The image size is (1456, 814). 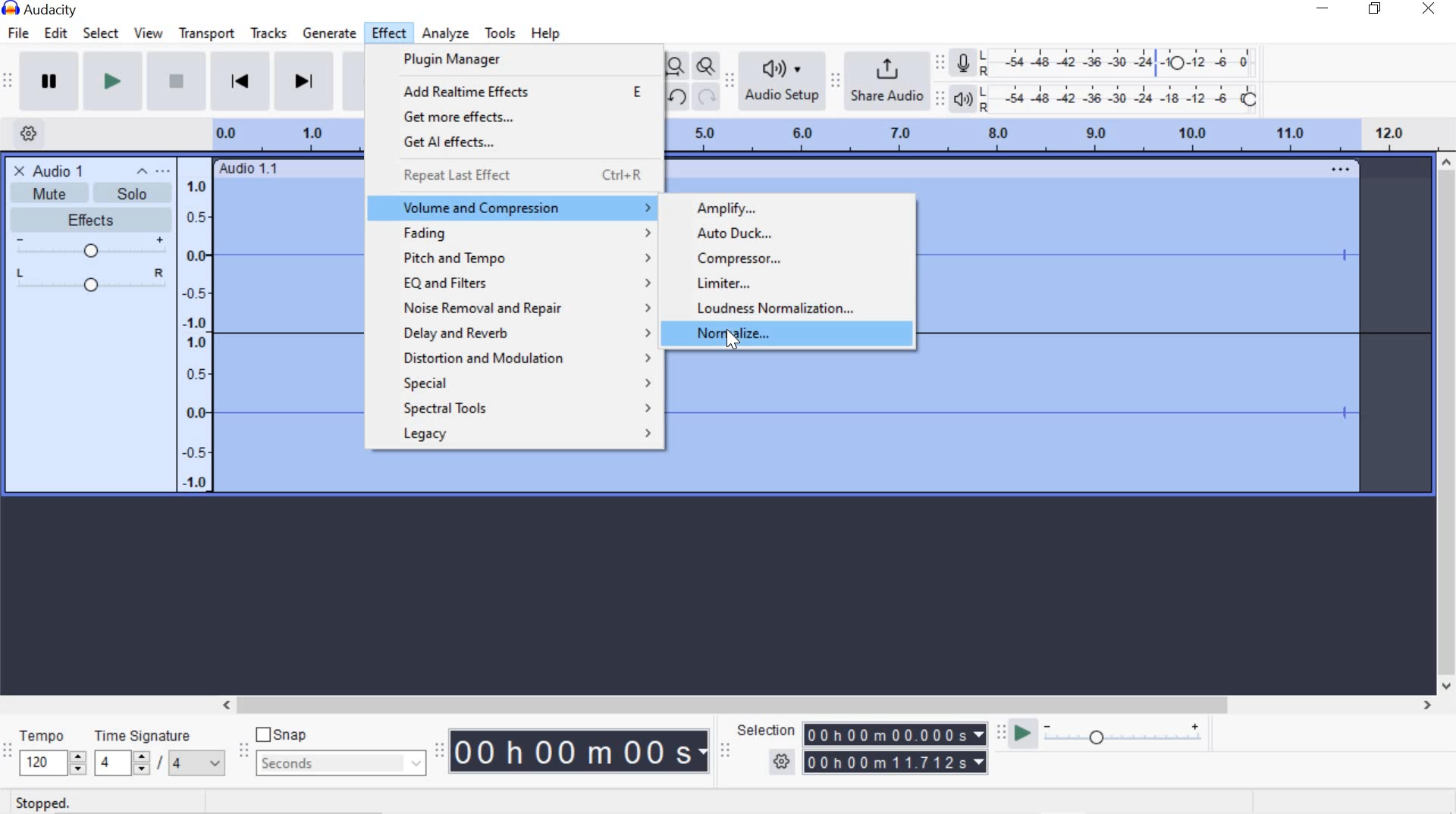 What do you see at coordinates (525, 258) in the screenshot?
I see `pitch and tempo` at bounding box center [525, 258].